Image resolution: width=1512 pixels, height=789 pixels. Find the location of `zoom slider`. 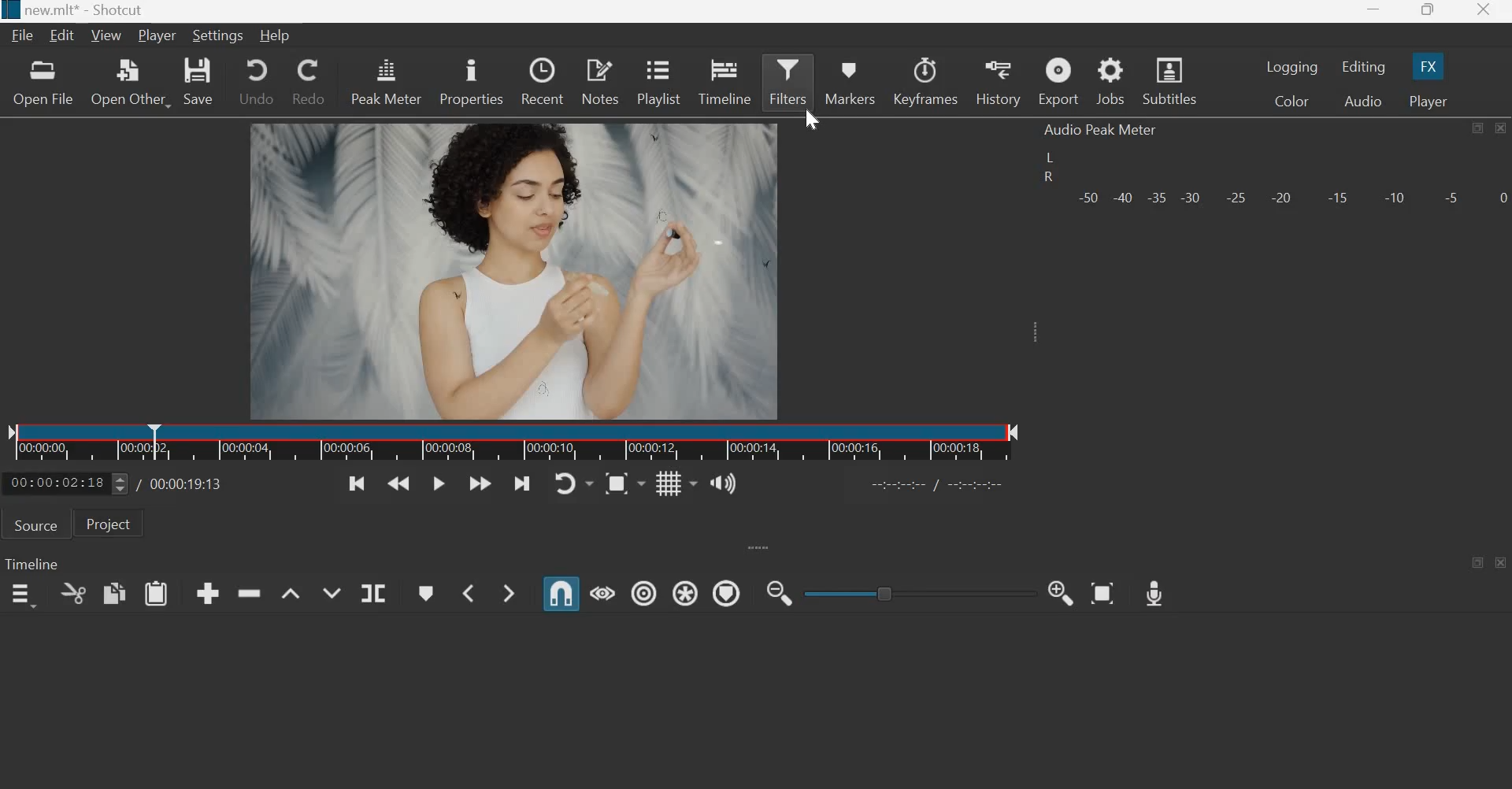

zoom slider is located at coordinates (913, 593).